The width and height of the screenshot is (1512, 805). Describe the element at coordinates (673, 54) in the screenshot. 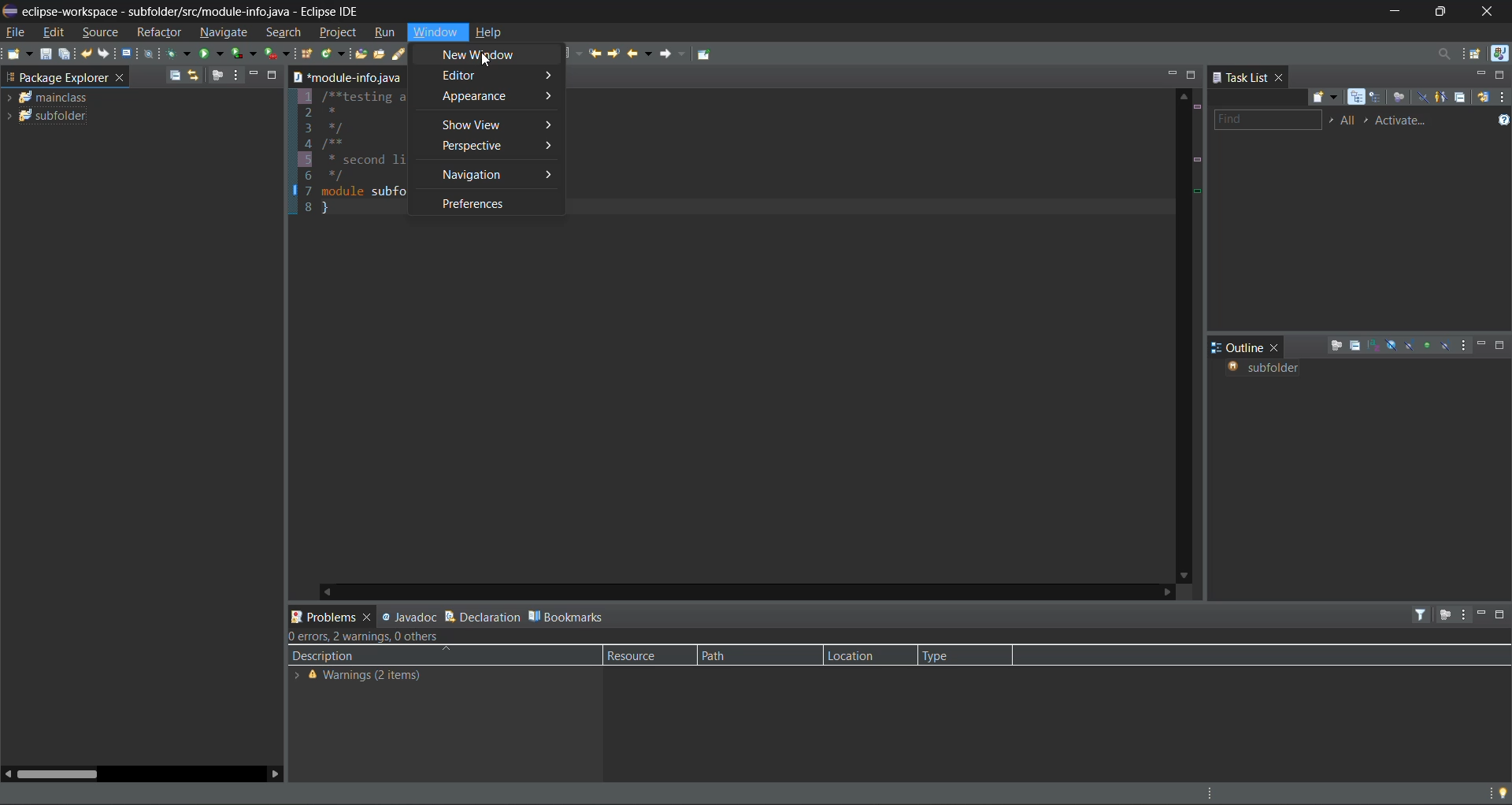

I see `forward` at that location.